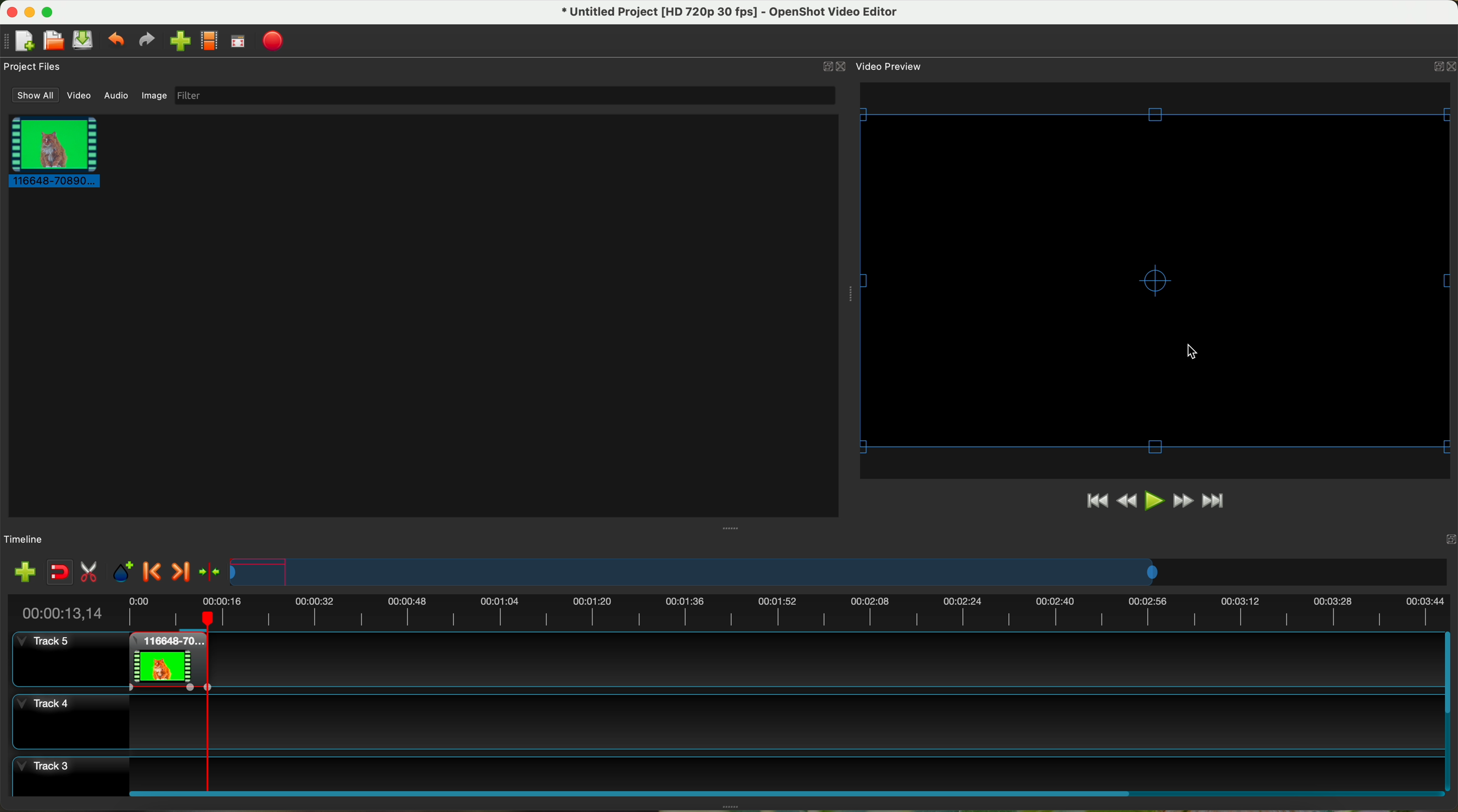  I want to click on video preview, so click(891, 66).